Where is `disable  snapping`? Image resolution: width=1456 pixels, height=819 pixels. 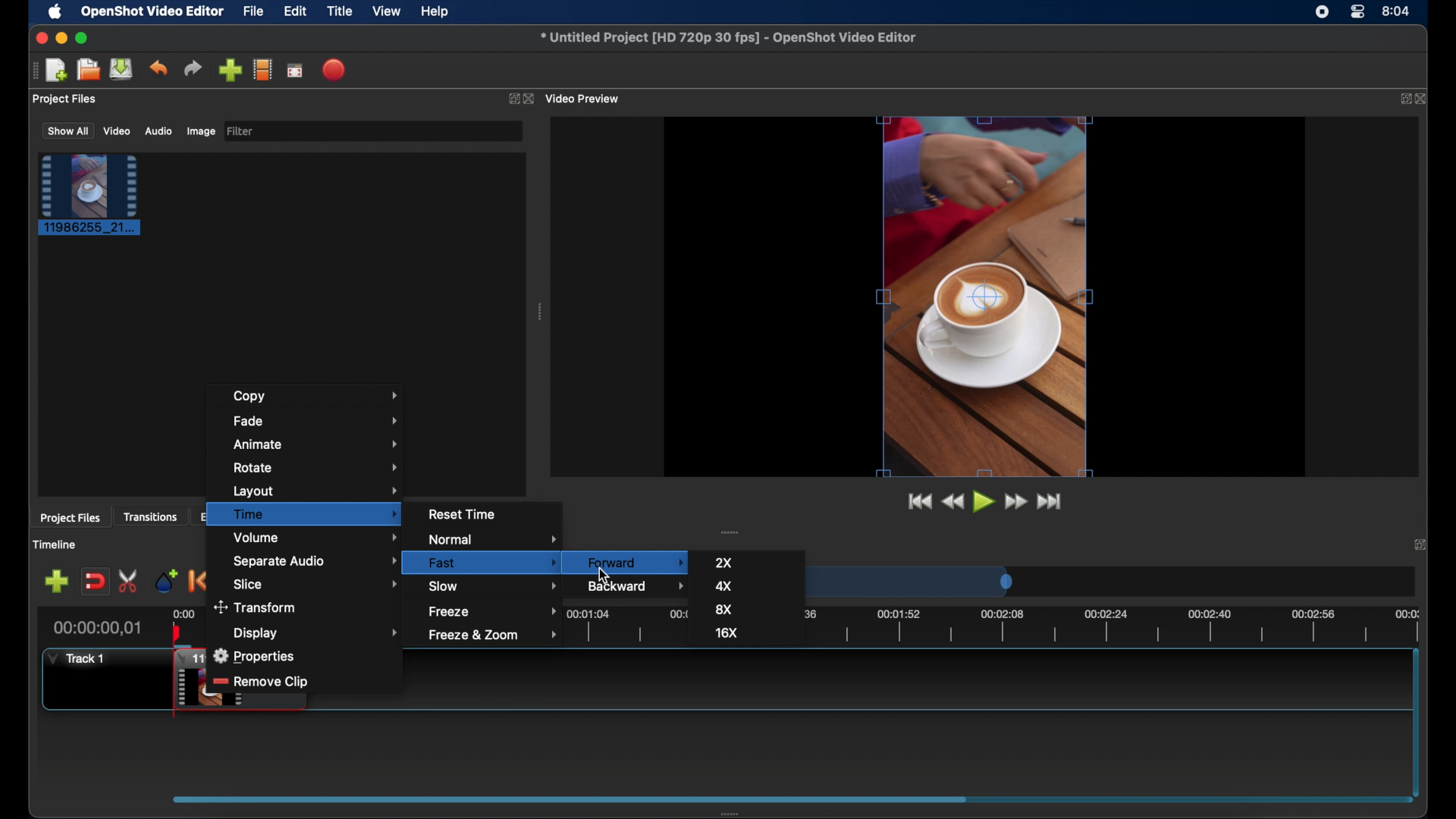 disable  snapping is located at coordinates (94, 580).